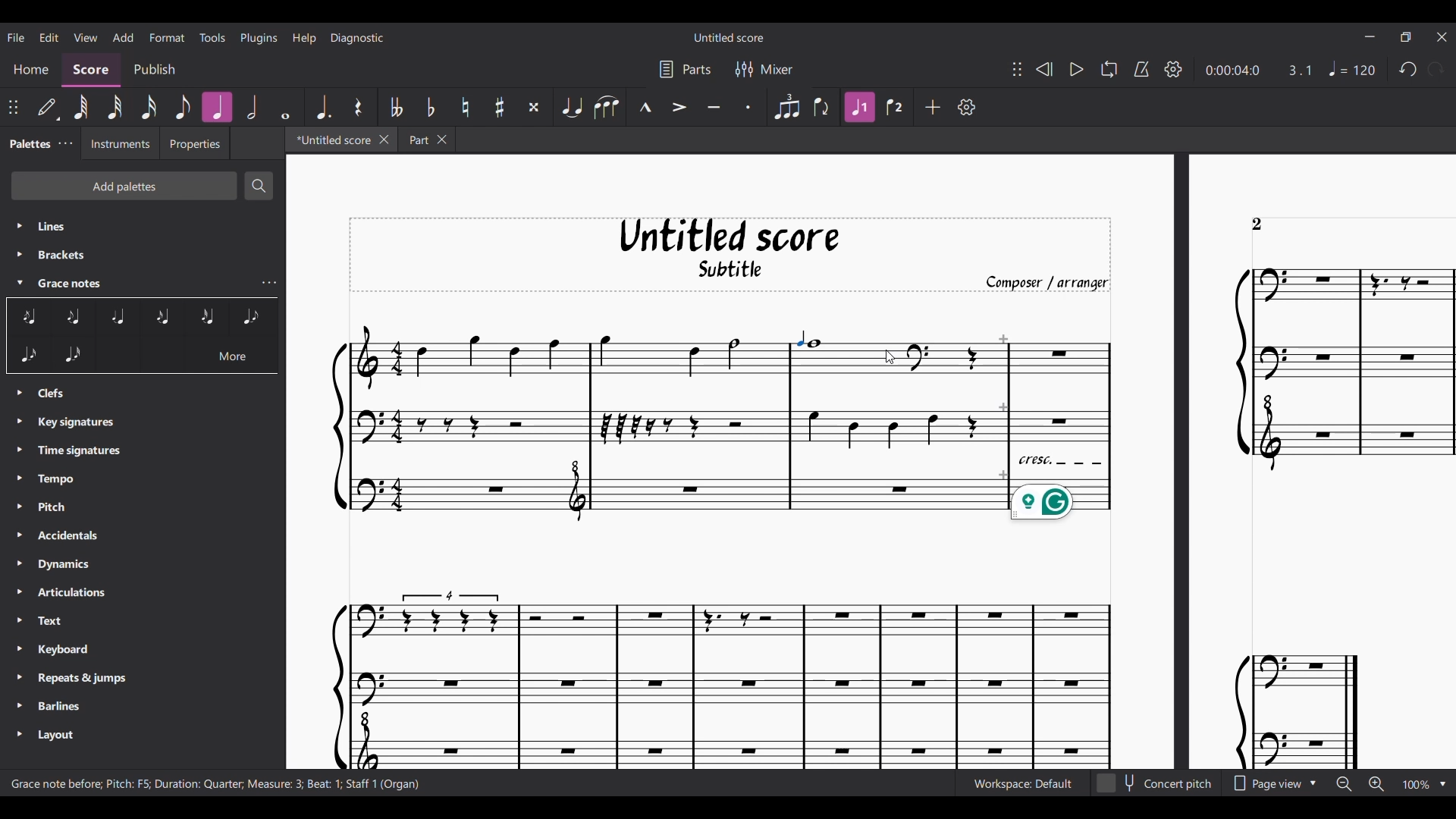 The image size is (1456, 819). Describe the element at coordinates (124, 186) in the screenshot. I see `Add palette` at that location.